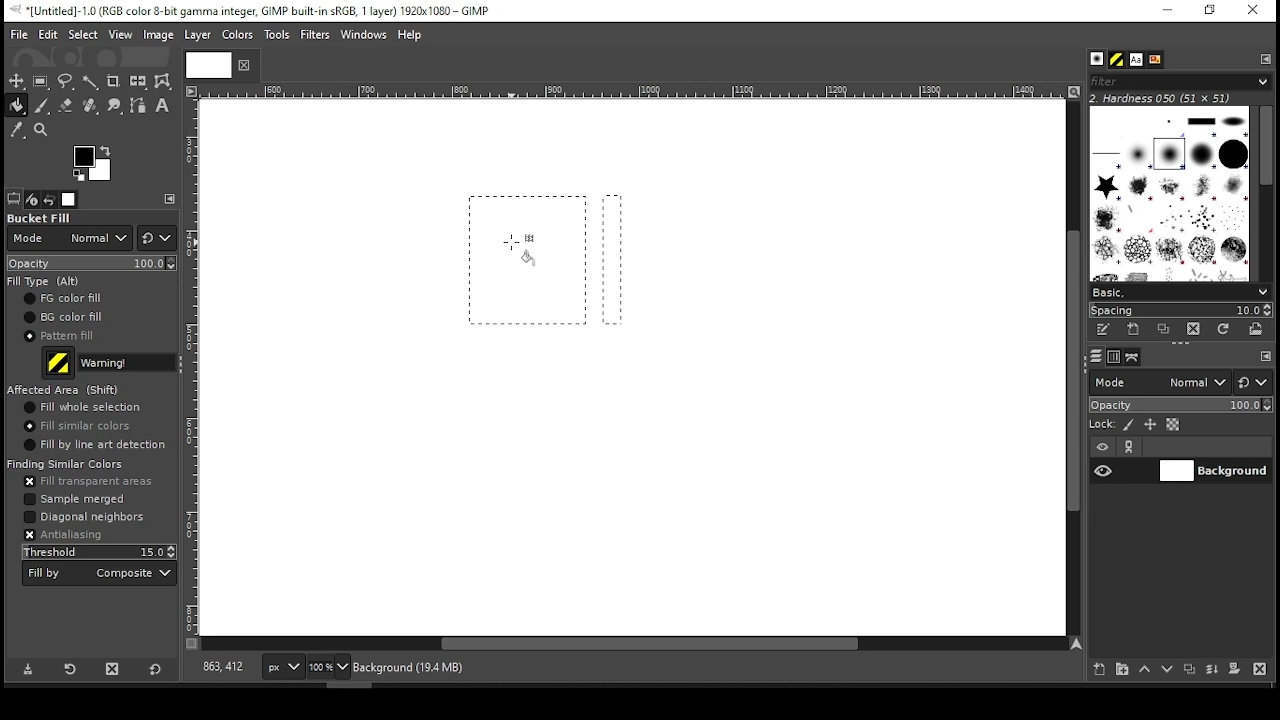  What do you see at coordinates (16, 132) in the screenshot?
I see `color picker tool` at bounding box center [16, 132].